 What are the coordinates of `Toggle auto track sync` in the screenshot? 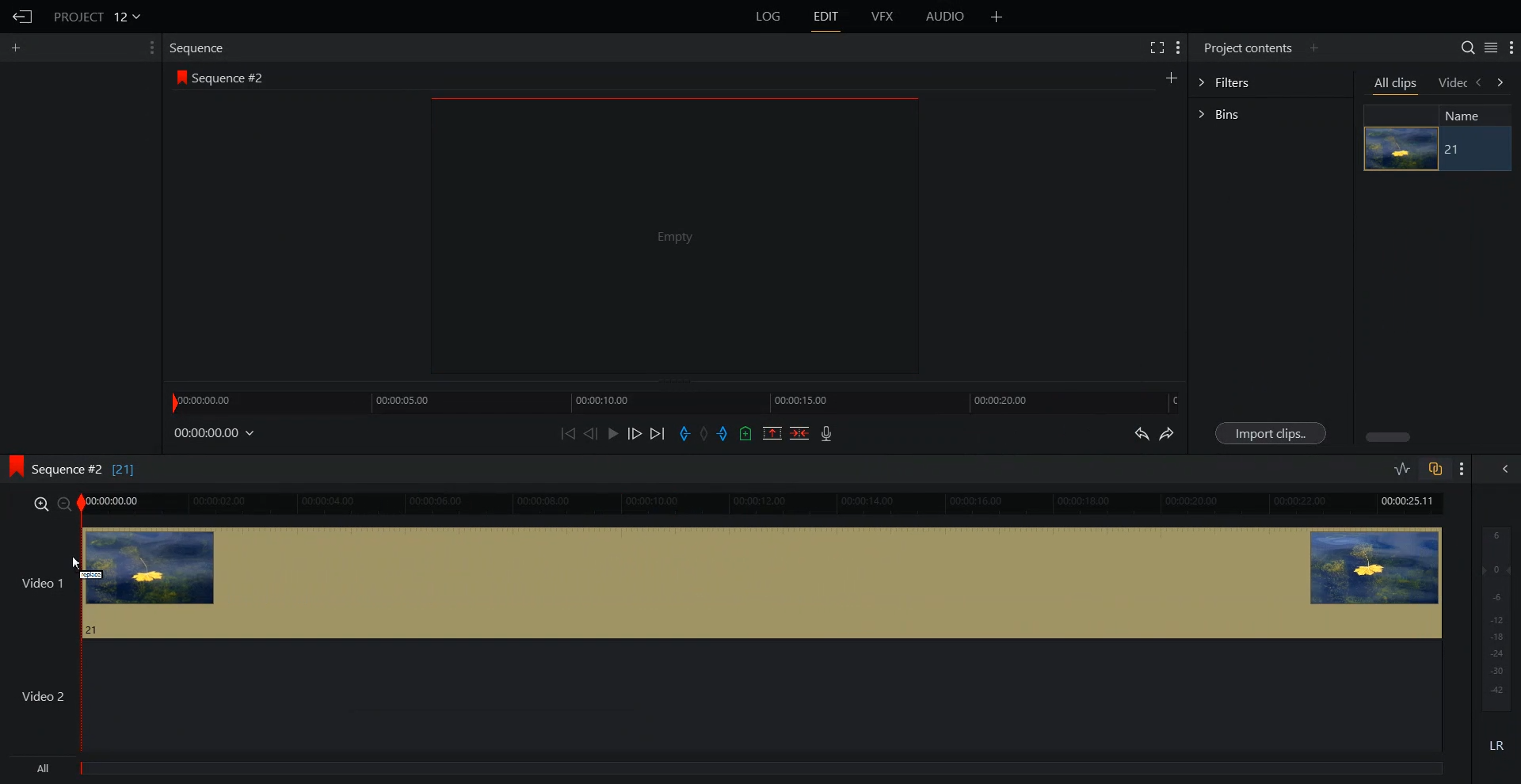 It's located at (1435, 469).